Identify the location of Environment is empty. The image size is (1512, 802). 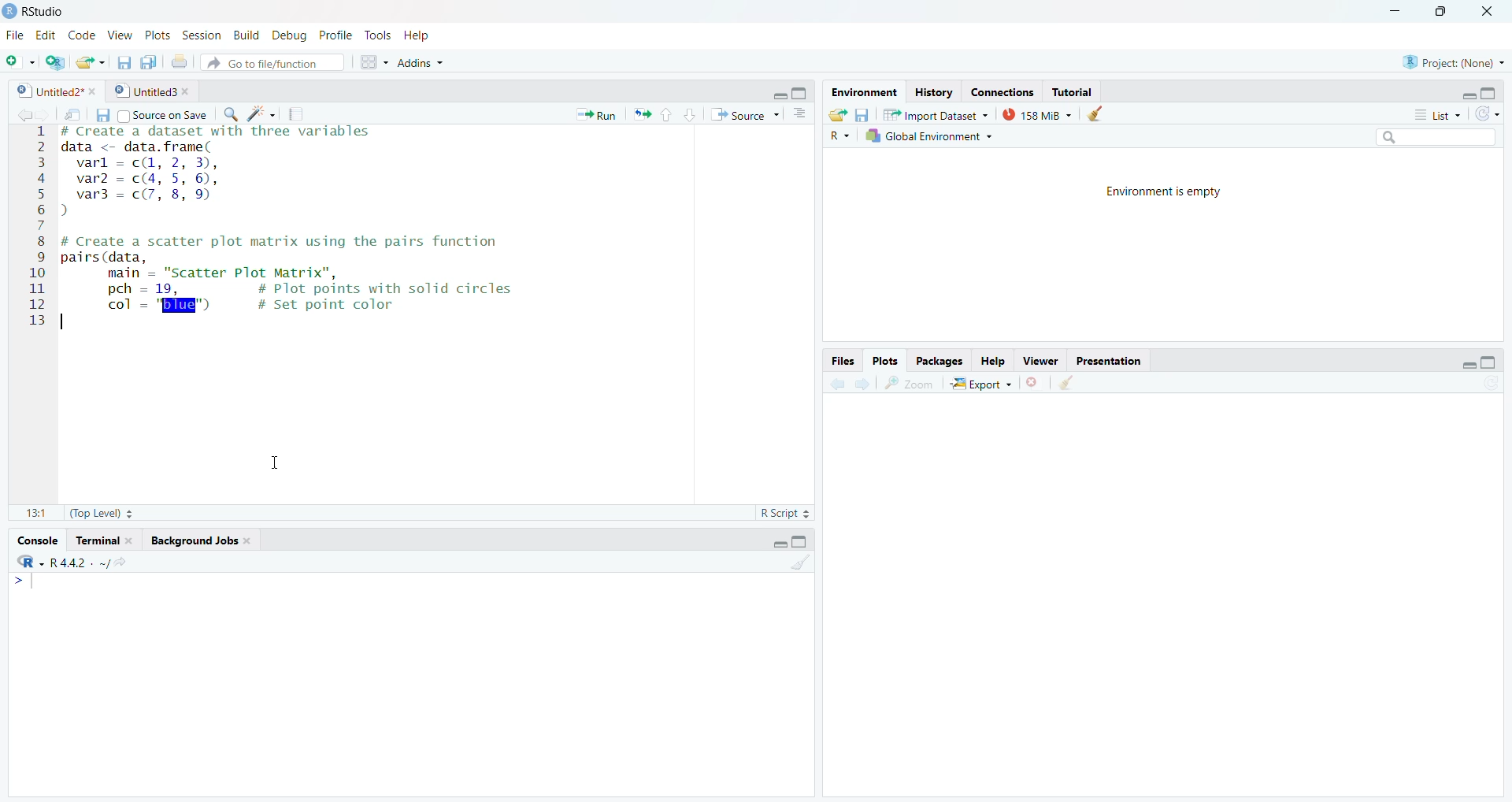
(1161, 245).